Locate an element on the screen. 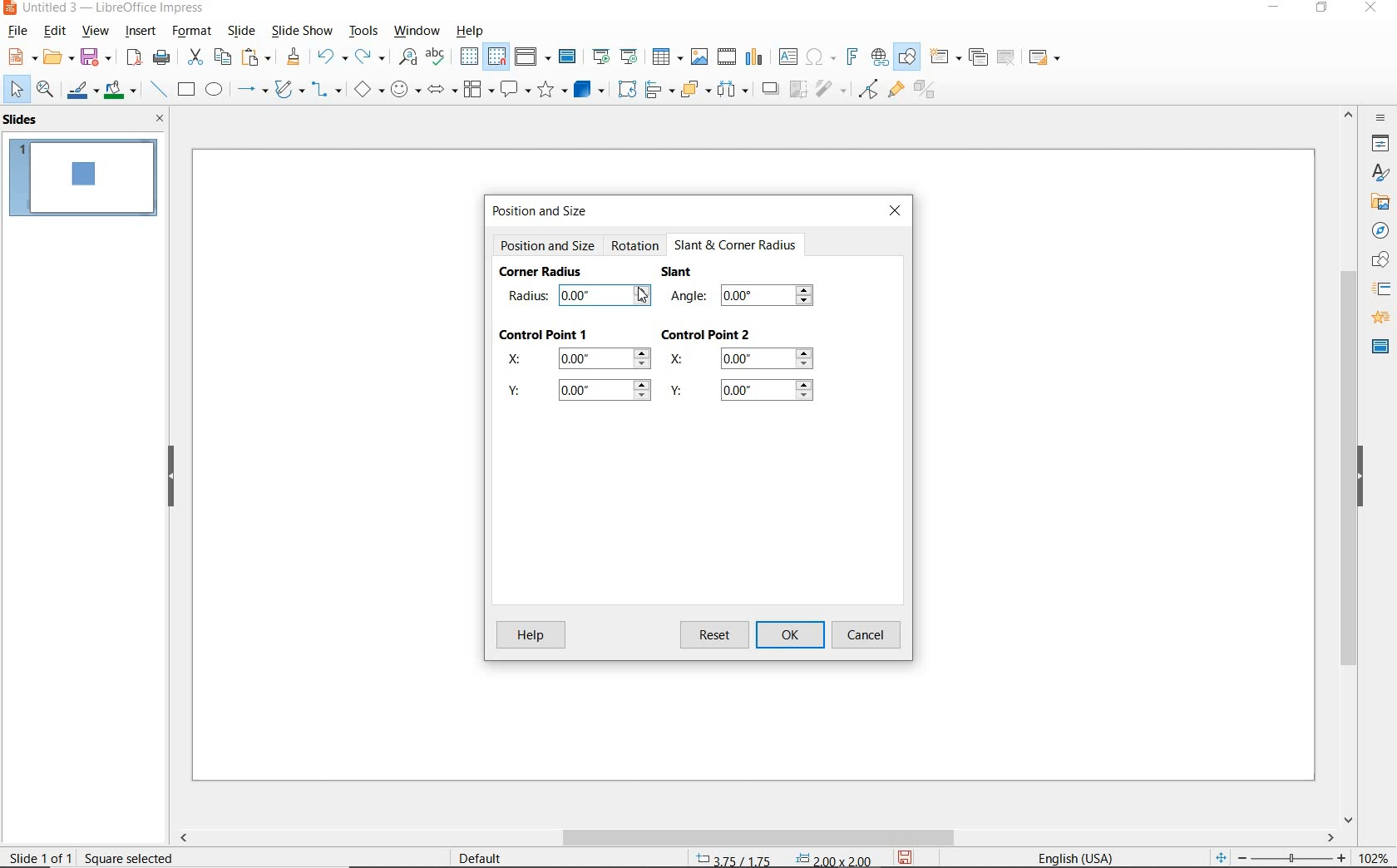 This screenshot has height=868, width=1397. flowchart is located at coordinates (480, 90).